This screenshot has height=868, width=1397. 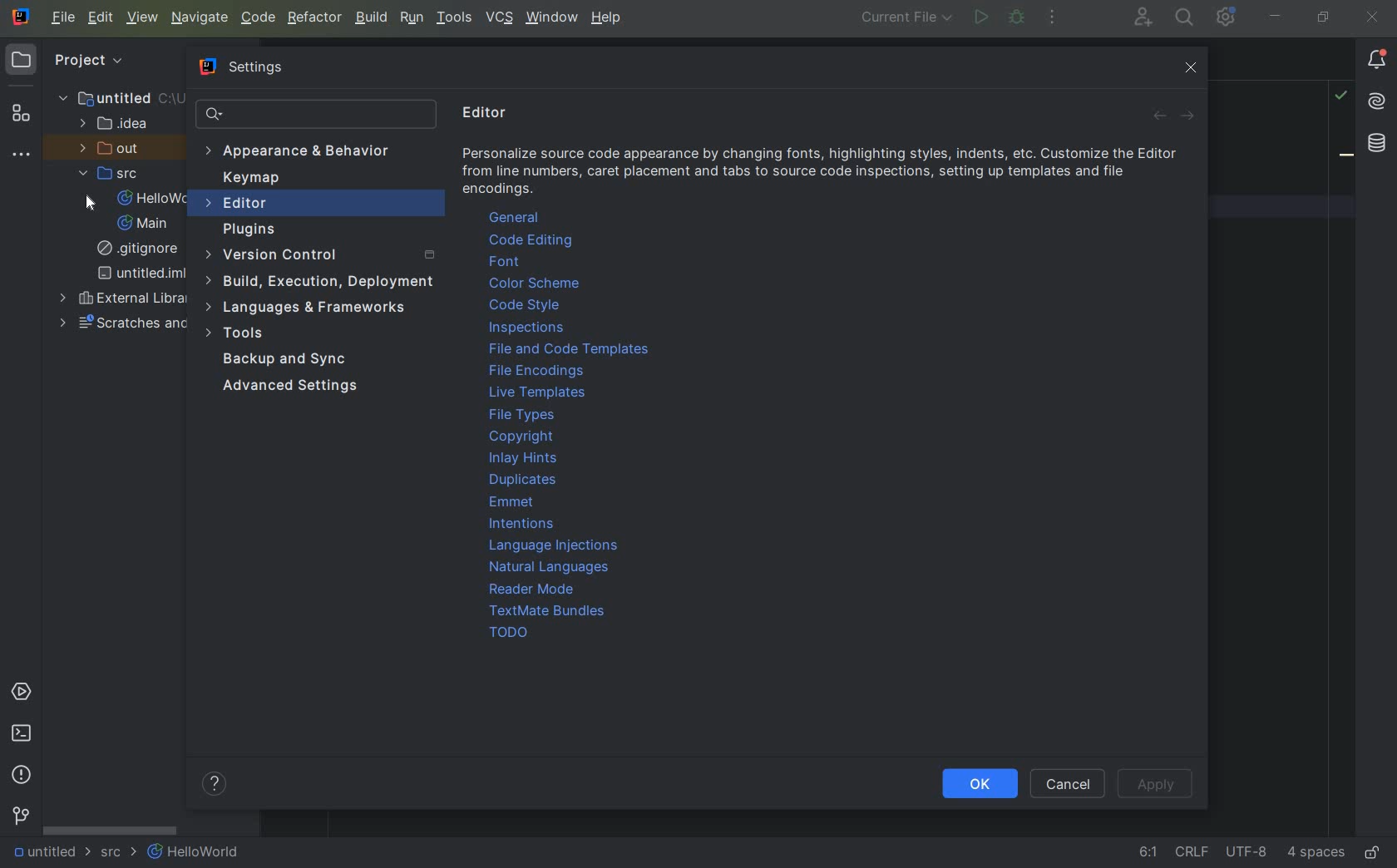 What do you see at coordinates (294, 387) in the screenshot?
I see `Advanced Settings` at bounding box center [294, 387].